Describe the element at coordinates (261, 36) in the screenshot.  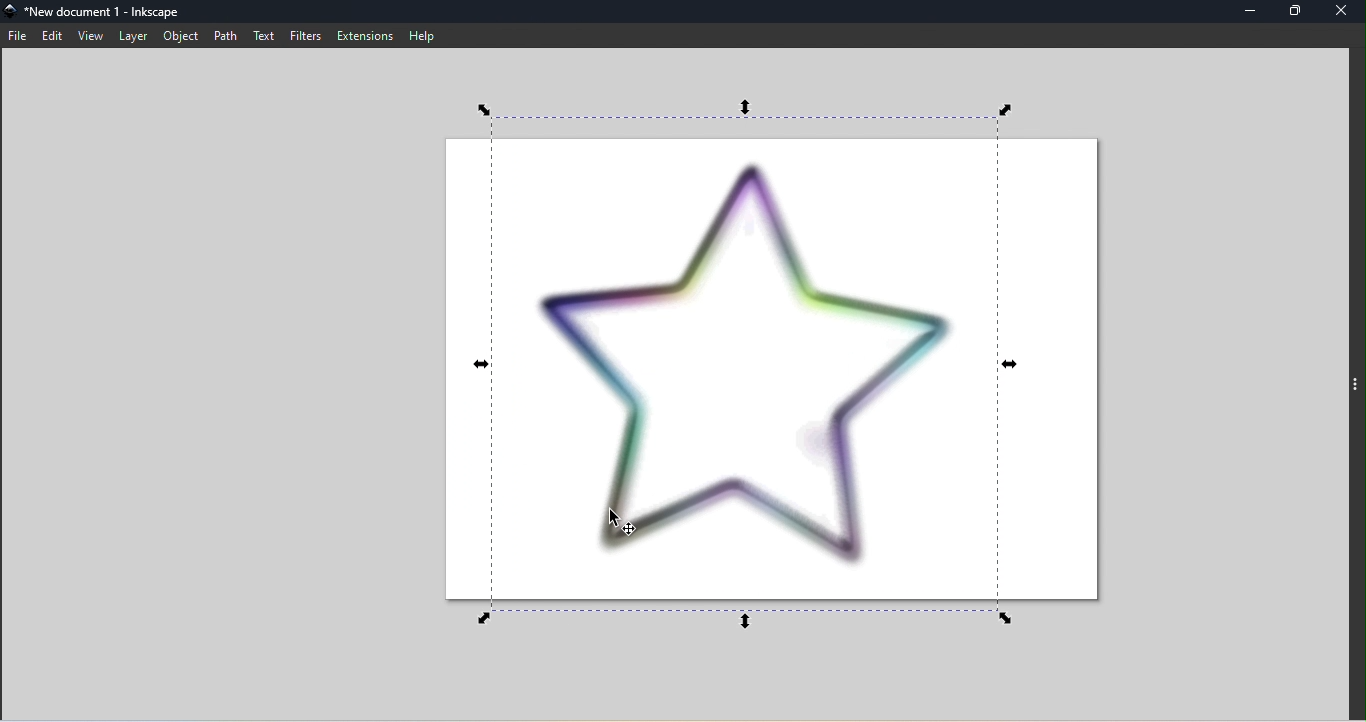
I see `Text` at that location.